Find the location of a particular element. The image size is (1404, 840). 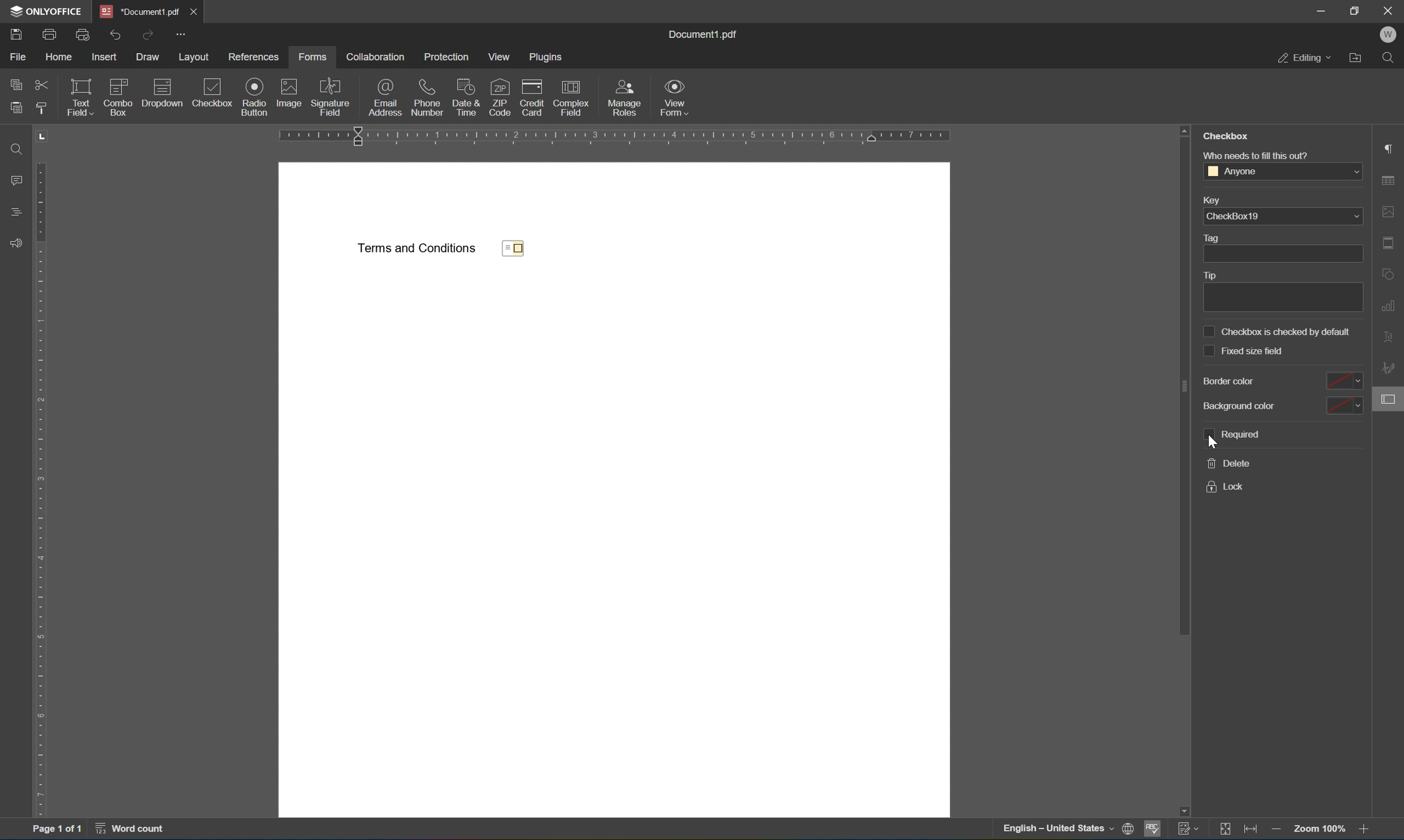

scroll bar is located at coordinates (1183, 378).